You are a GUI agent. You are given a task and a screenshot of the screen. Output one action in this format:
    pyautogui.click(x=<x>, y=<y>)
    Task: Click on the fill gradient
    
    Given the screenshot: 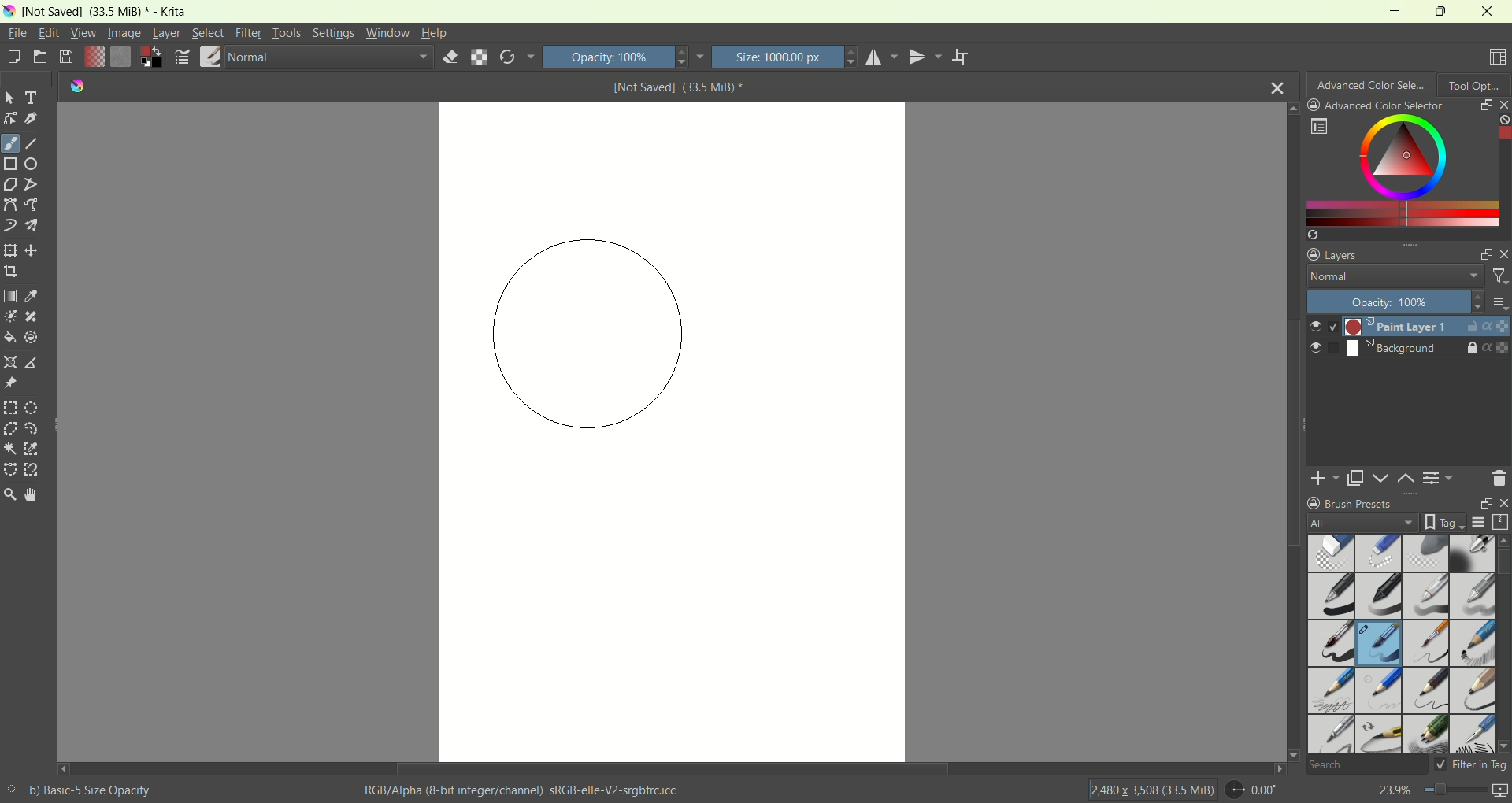 What is the action you would take?
    pyautogui.click(x=94, y=58)
    